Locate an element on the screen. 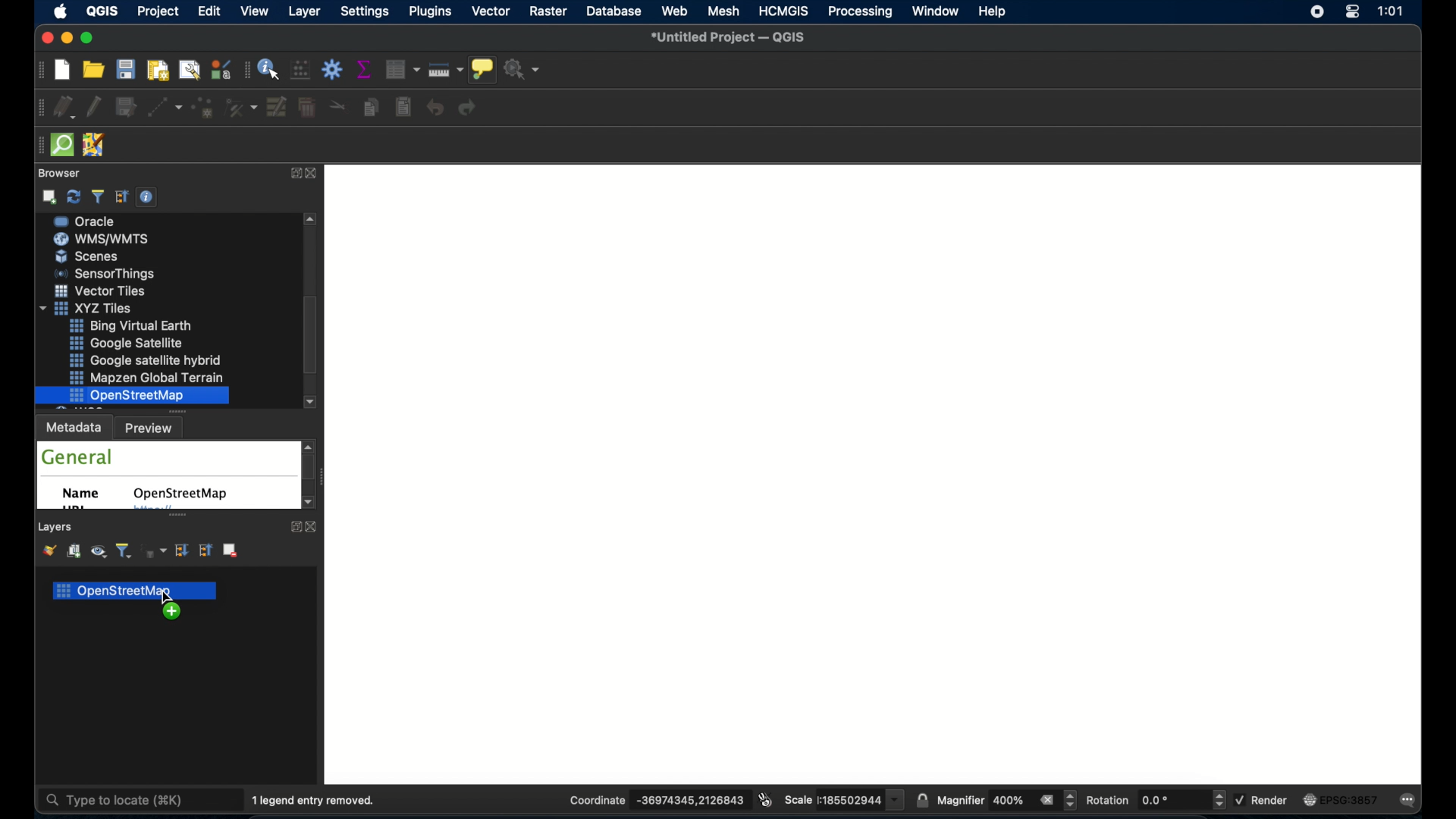 The height and width of the screenshot is (819, 1456). drag cursor is located at coordinates (171, 605).